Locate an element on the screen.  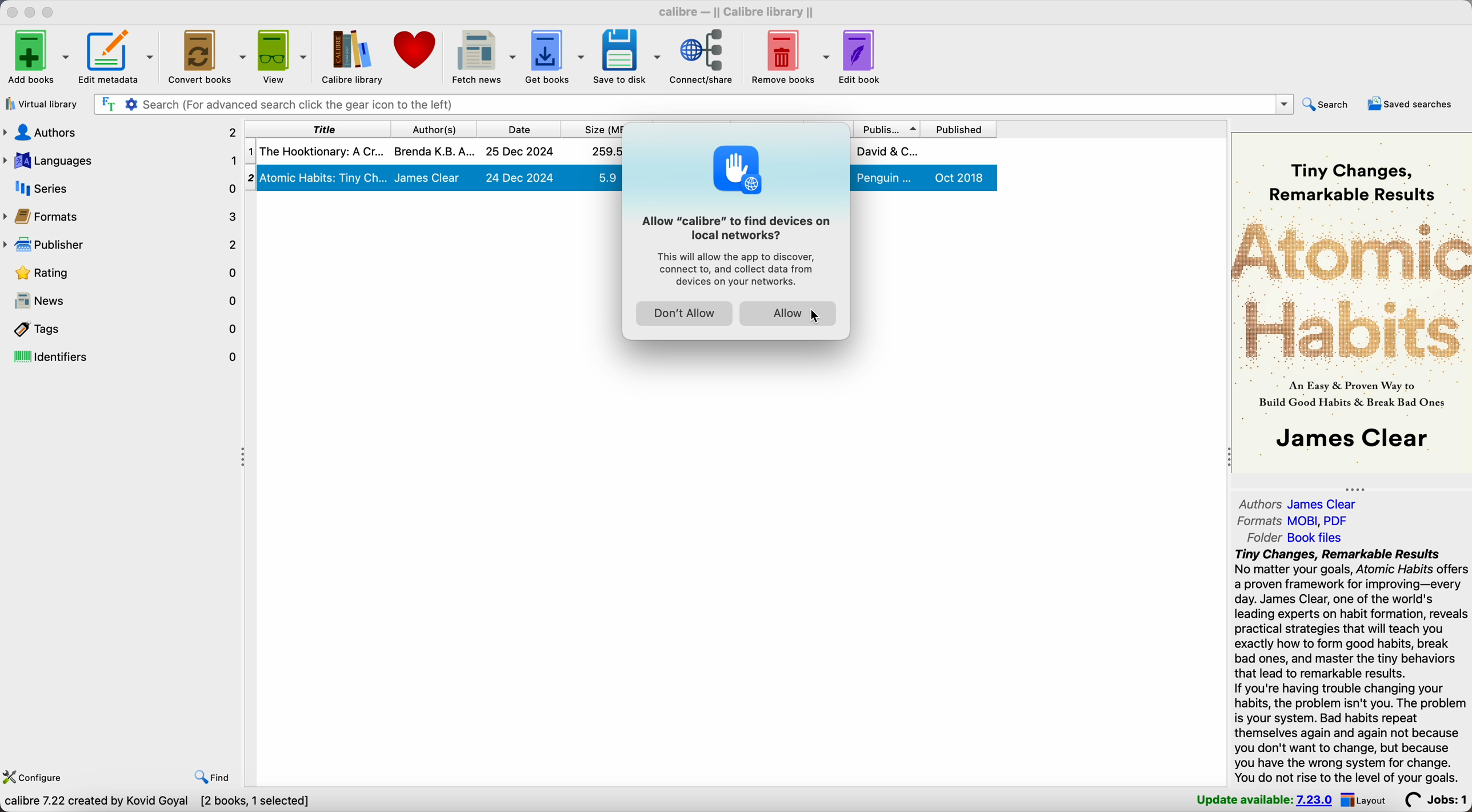
259.5 is located at coordinates (609, 151).